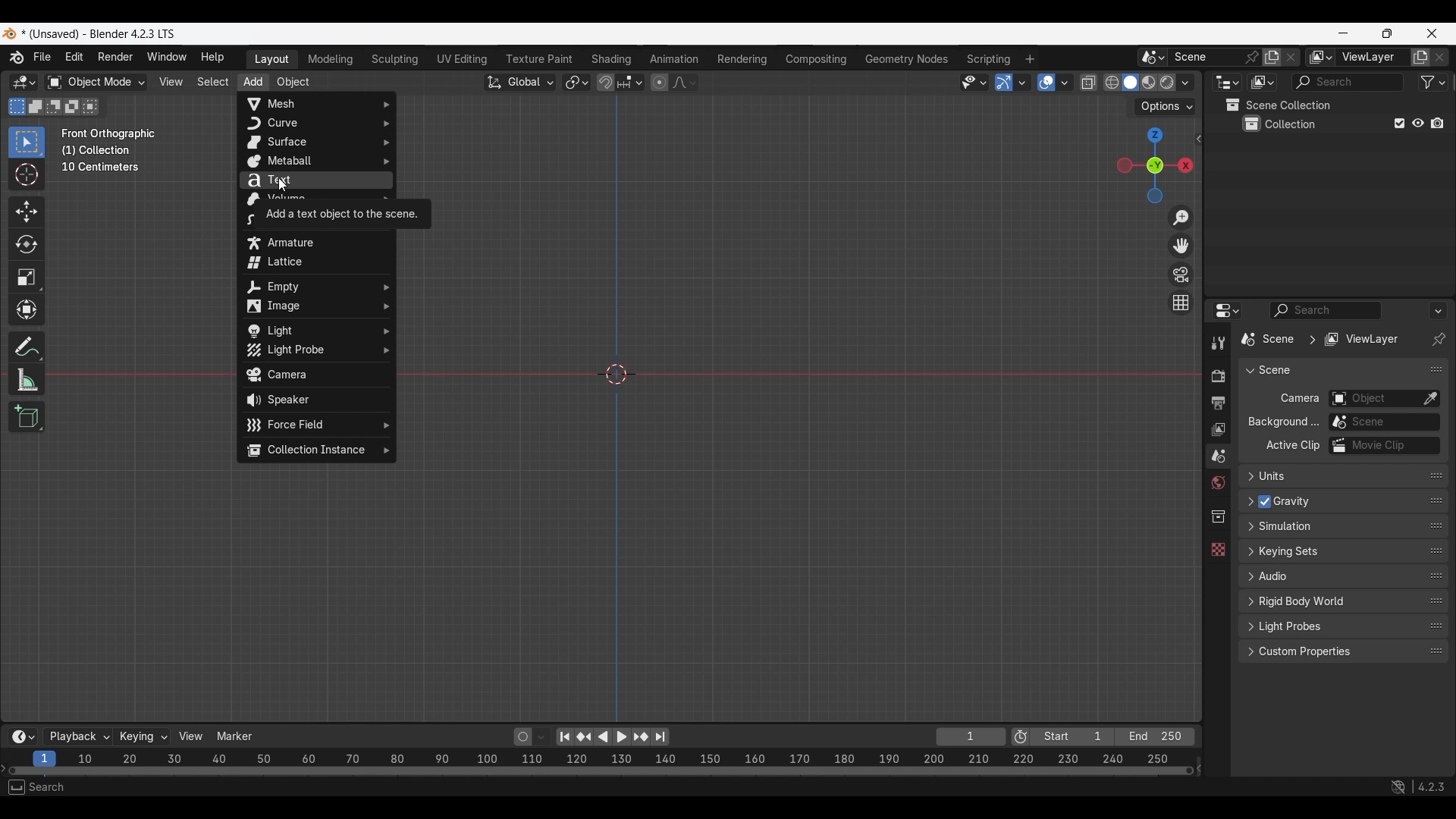 The image size is (1456, 819). I want to click on Tool, so click(1218, 343).